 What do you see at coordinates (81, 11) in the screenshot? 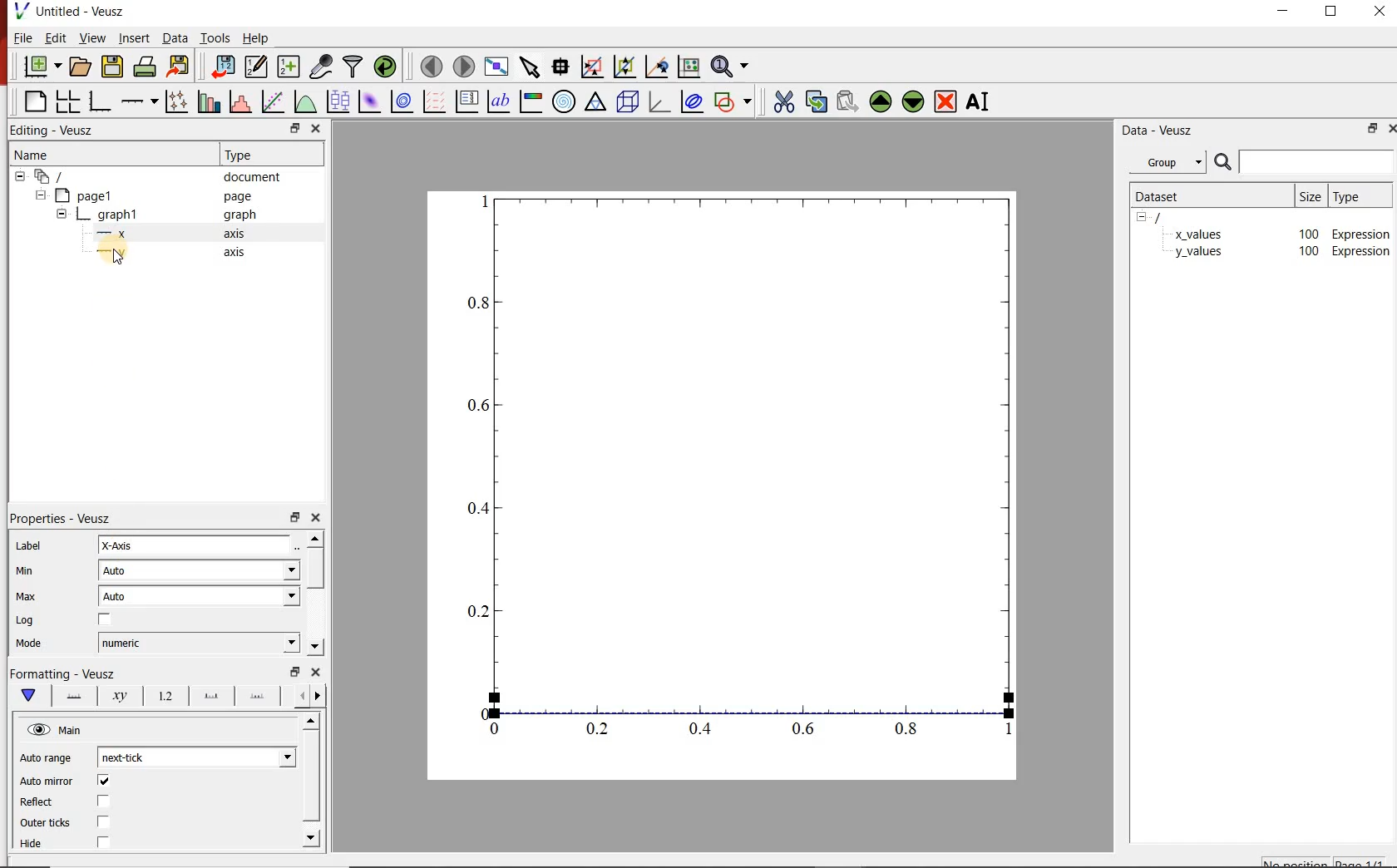
I see `Untitled - Veusz` at bounding box center [81, 11].